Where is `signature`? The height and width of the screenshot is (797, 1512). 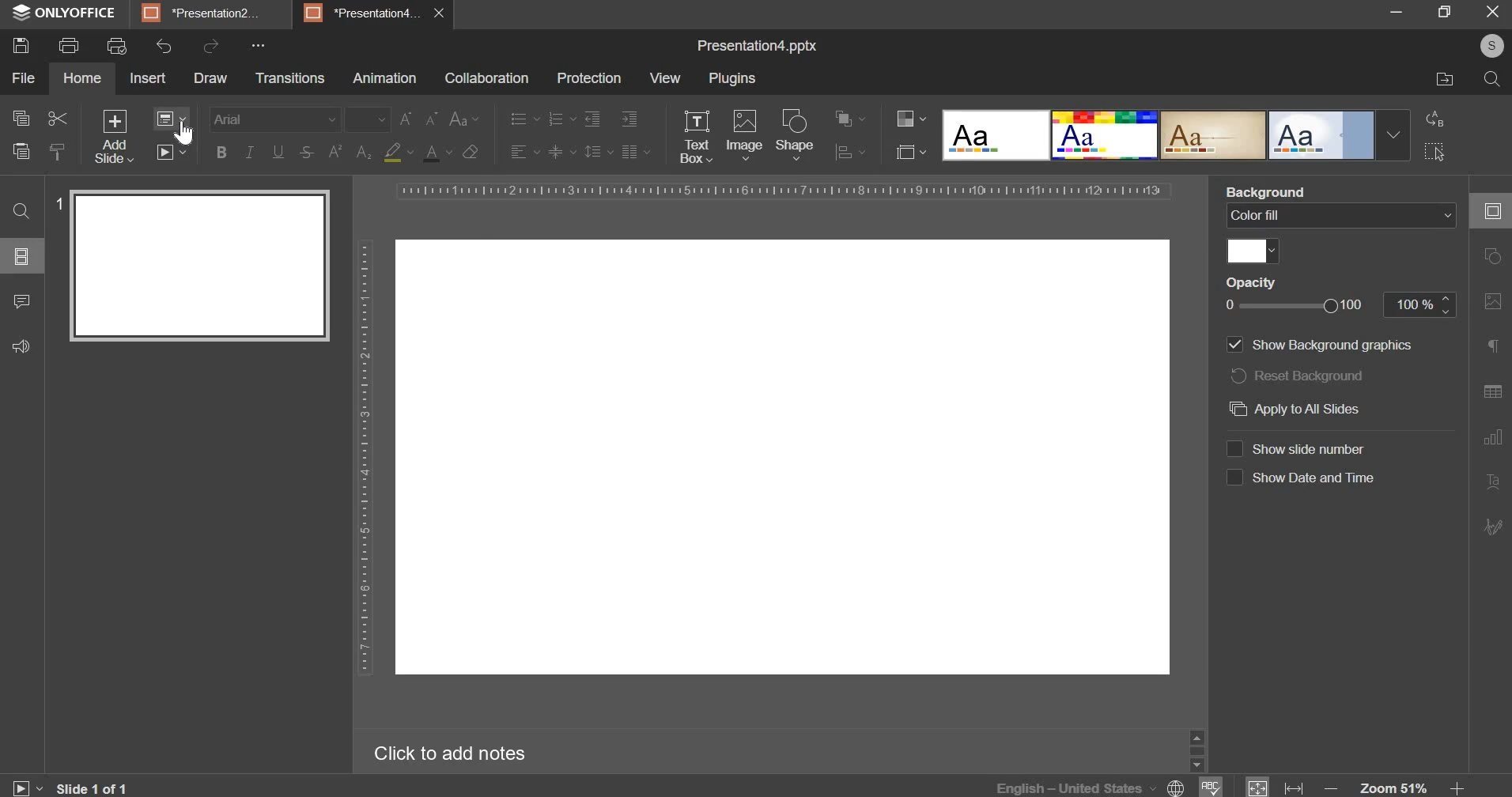 signature is located at coordinates (1495, 526).